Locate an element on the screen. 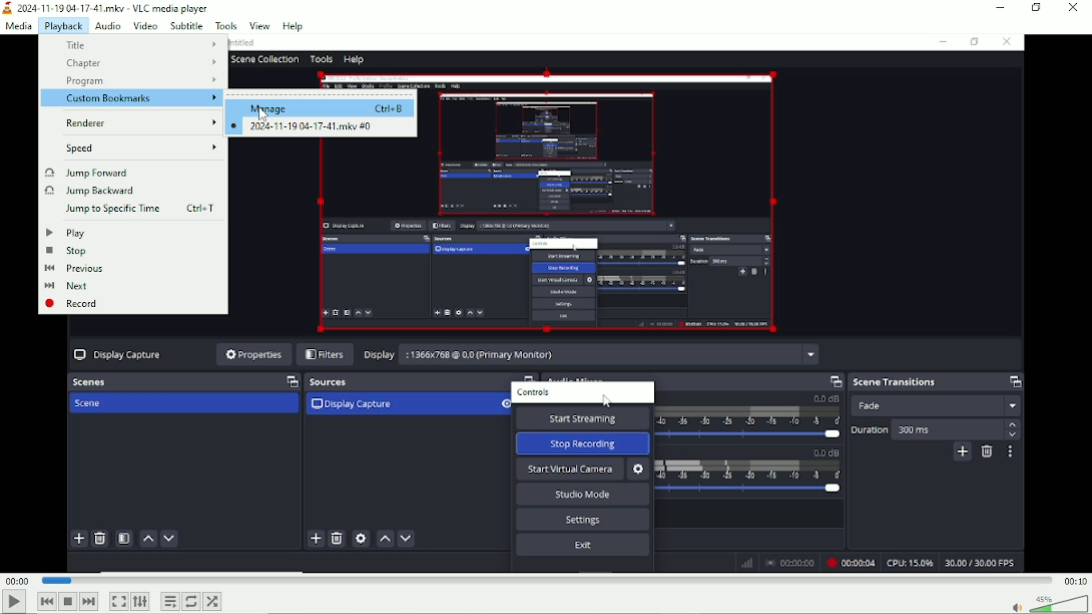 The image size is (1092, 614). Play duration is located at coordinates (545, 579).